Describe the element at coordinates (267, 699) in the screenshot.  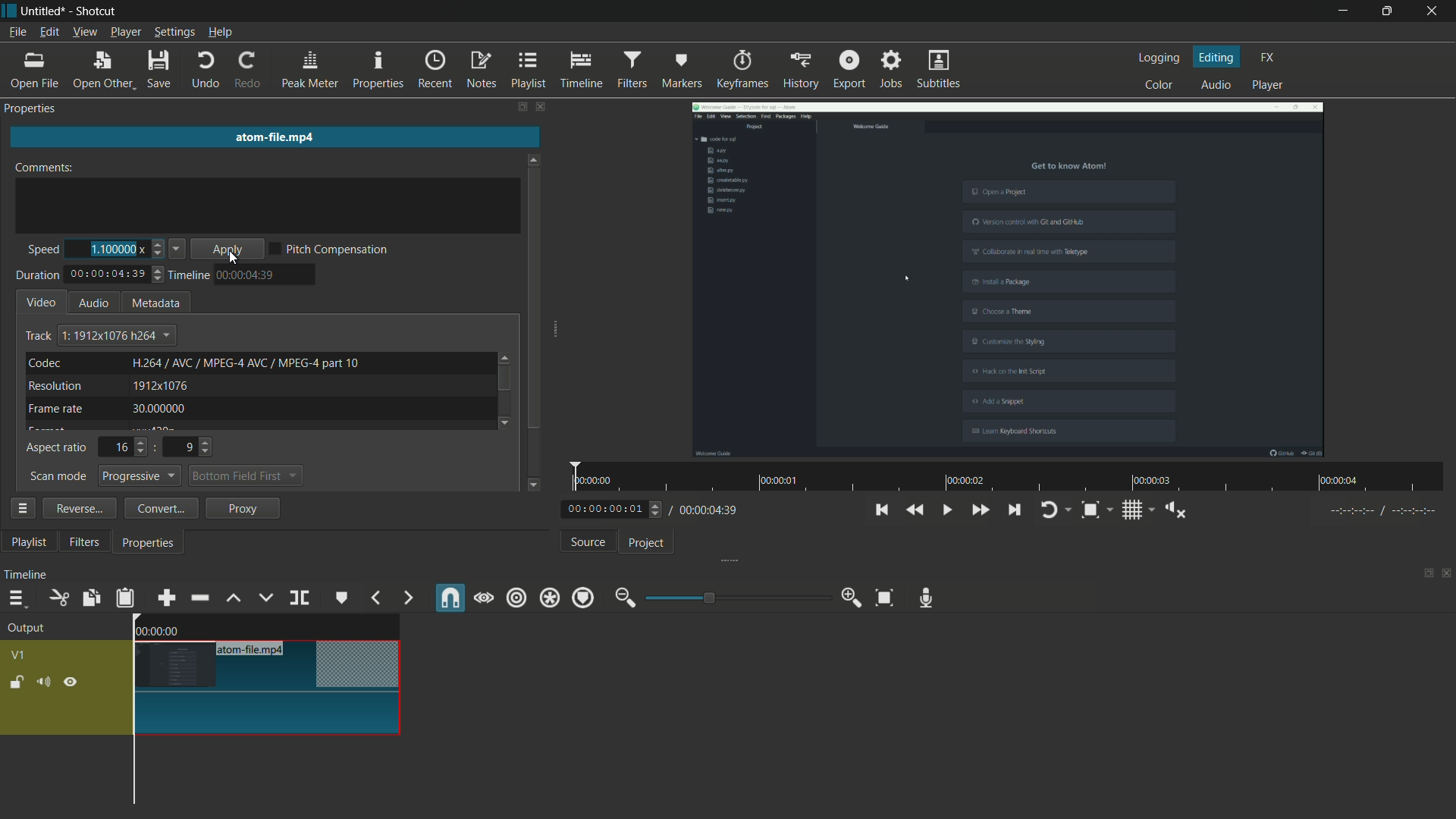
I see `video in timeline` at that location.